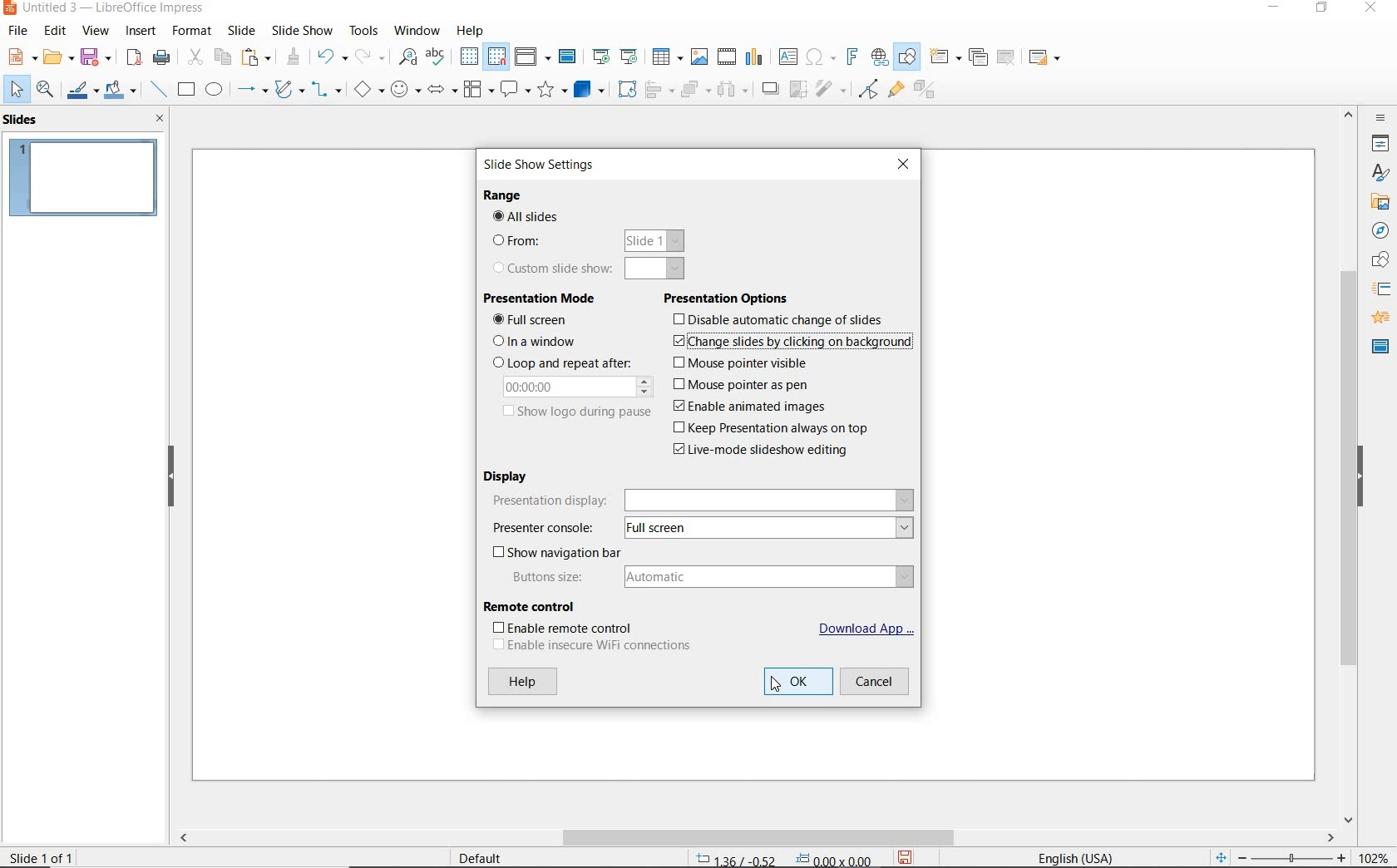  What do you see at coordinates (755, 837) in the screenshot?
I see `SCROLLBAR` at bounding box center [755, 837].